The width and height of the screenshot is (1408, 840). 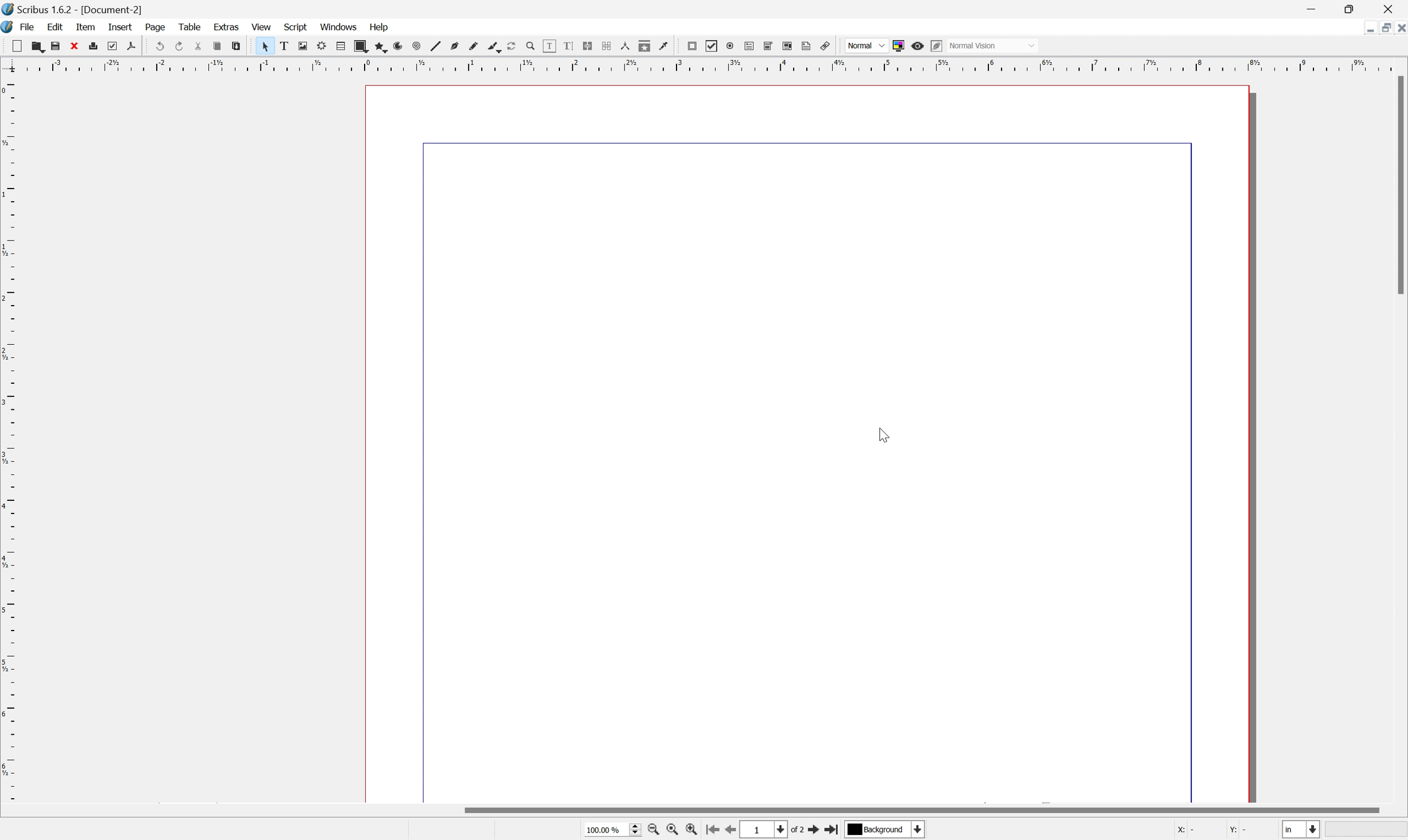 What do you see at coordinates (415, 46) in the screenshot?
I see `Spiral` at bounding box center [415, 46].